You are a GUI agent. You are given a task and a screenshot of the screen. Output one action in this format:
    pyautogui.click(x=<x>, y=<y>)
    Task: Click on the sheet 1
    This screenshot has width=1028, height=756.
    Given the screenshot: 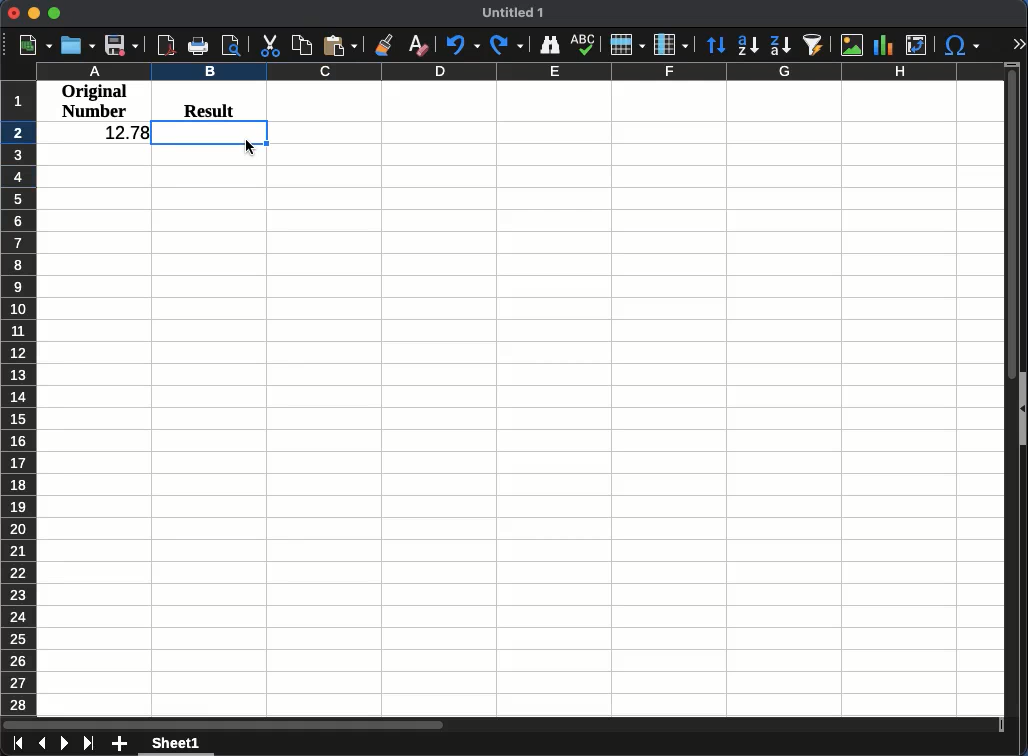 What is the action you would take?
    pyautogui.click(x=180, y=746)
    